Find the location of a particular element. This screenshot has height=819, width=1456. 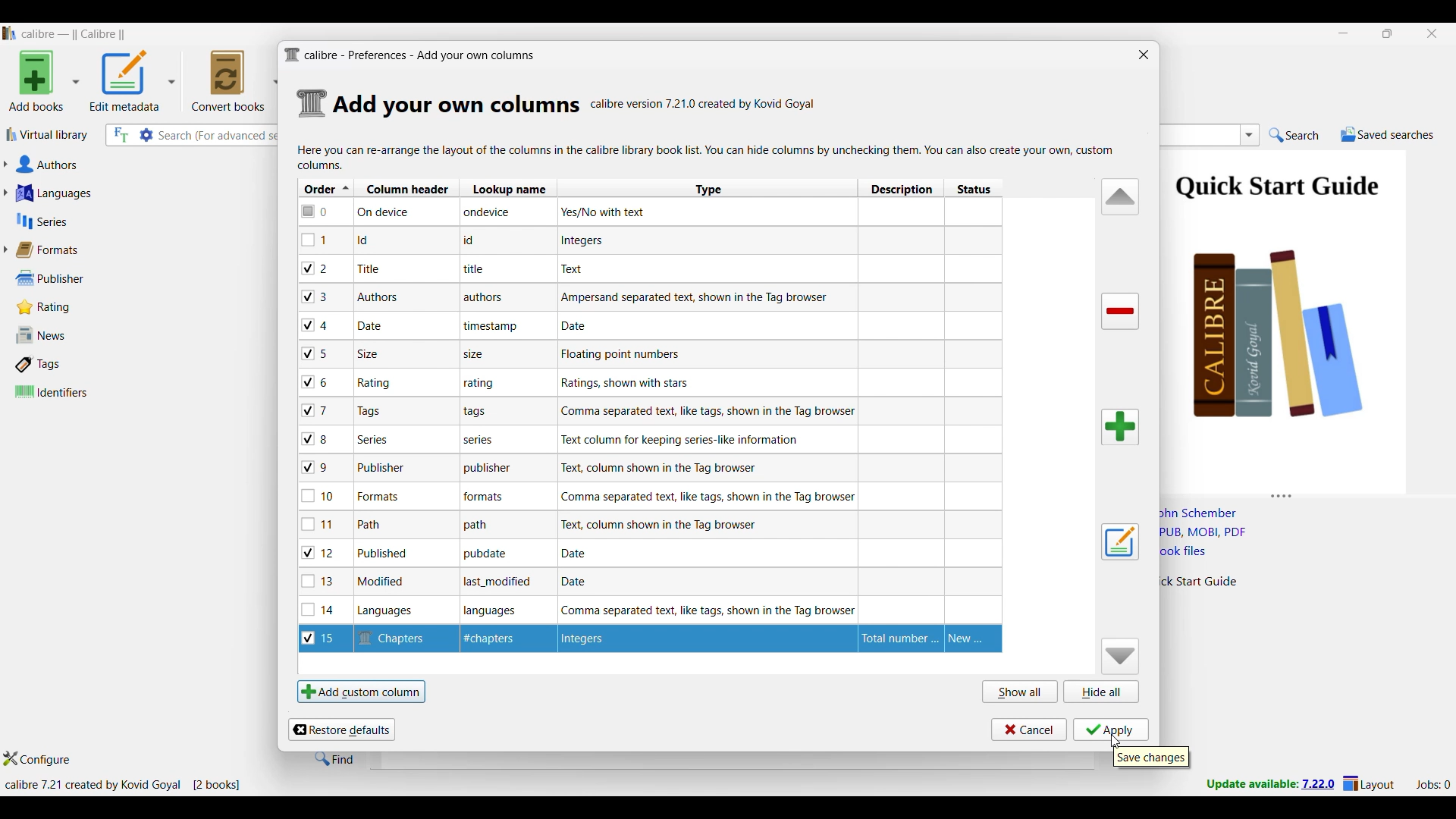

Explanation is located at coordinates (695, 440).